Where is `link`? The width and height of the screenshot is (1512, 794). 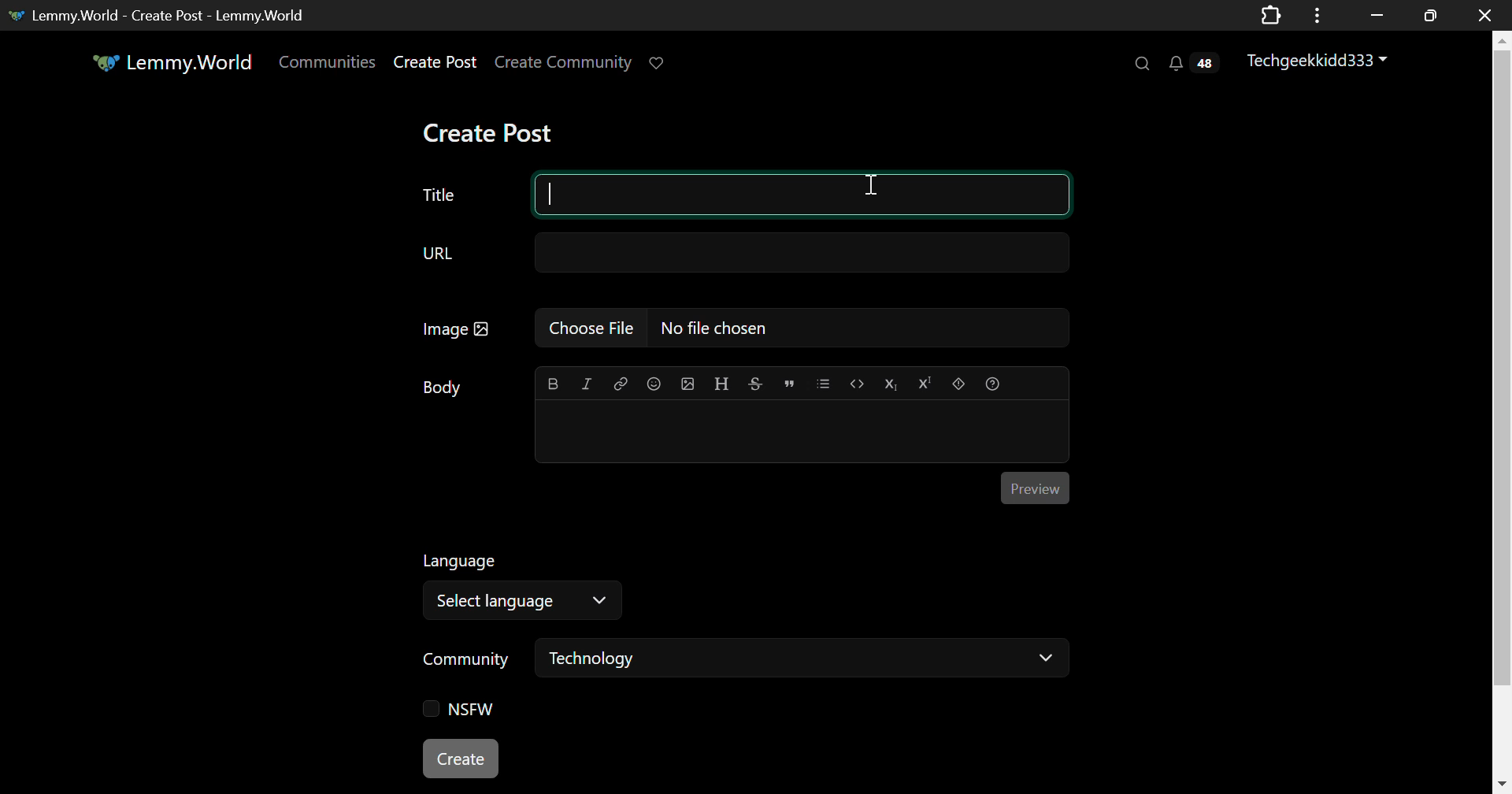 link is located at coordinates (620, 384).